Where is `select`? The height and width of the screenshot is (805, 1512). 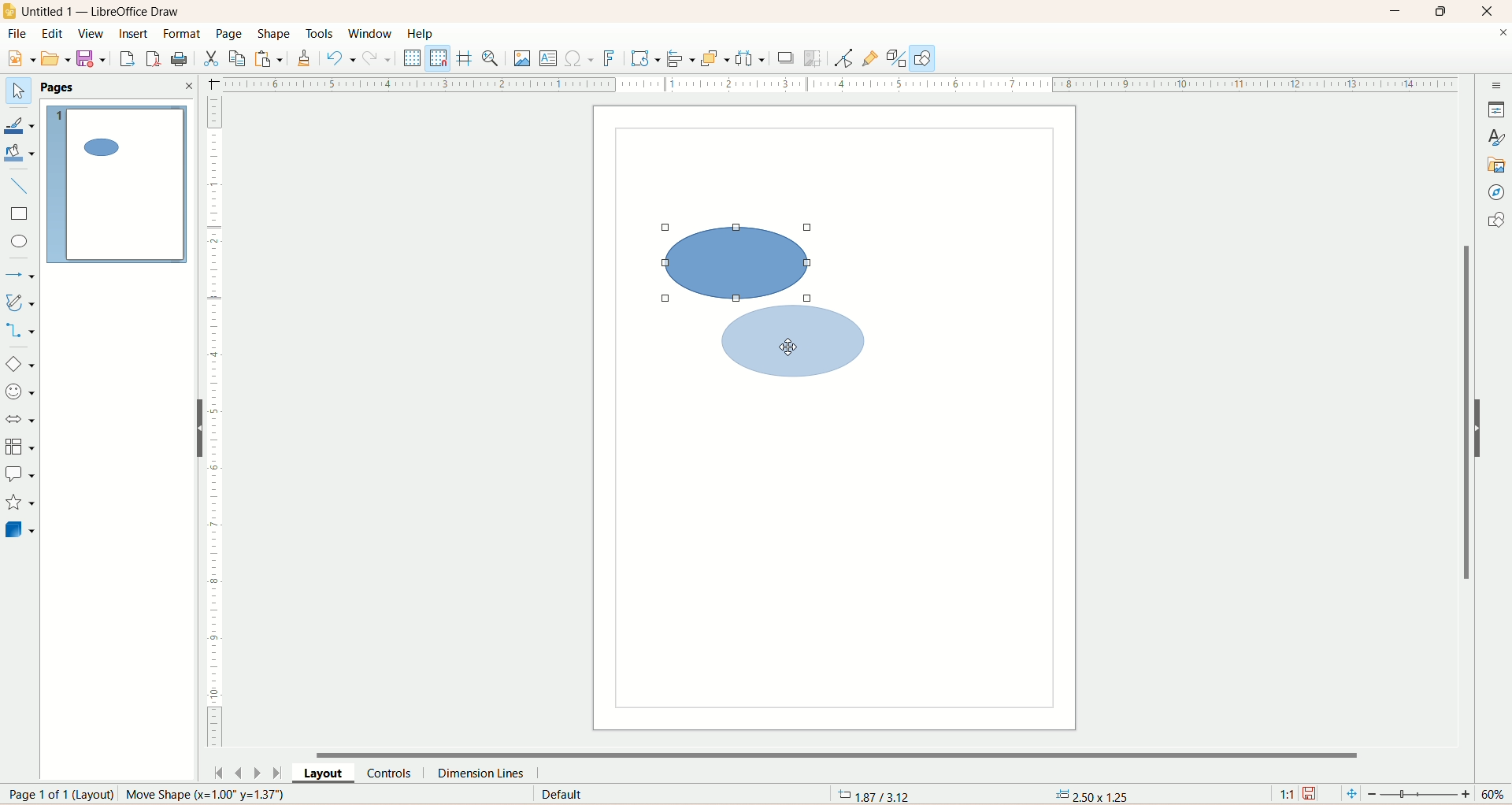
select is located at coordinates (19, 91).